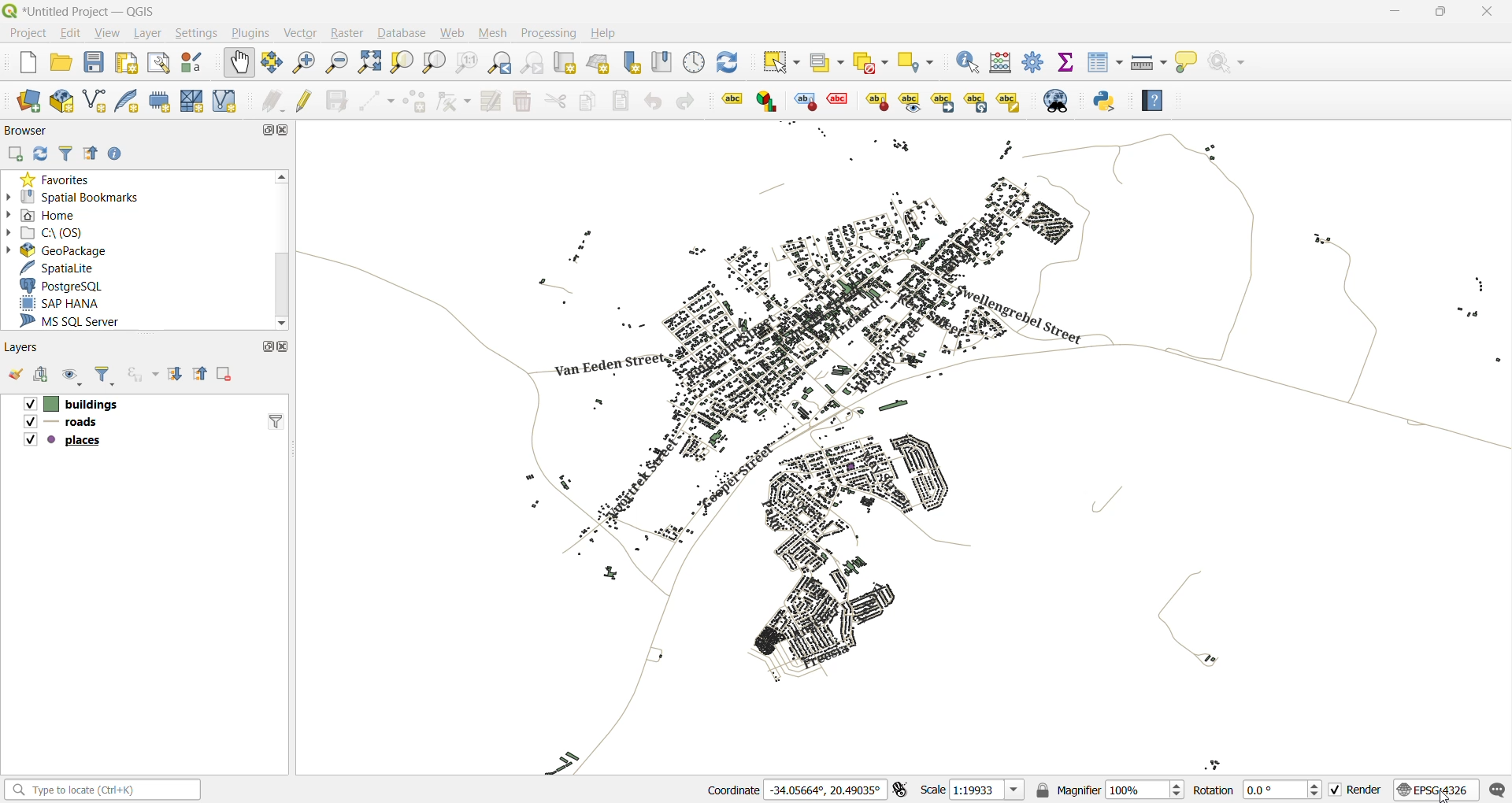 This screenshot has width=1512, height=803. What do you see at coordinates (283, 176) in the screenshot?
I see `scroll up` at bounding box center [283, 176].